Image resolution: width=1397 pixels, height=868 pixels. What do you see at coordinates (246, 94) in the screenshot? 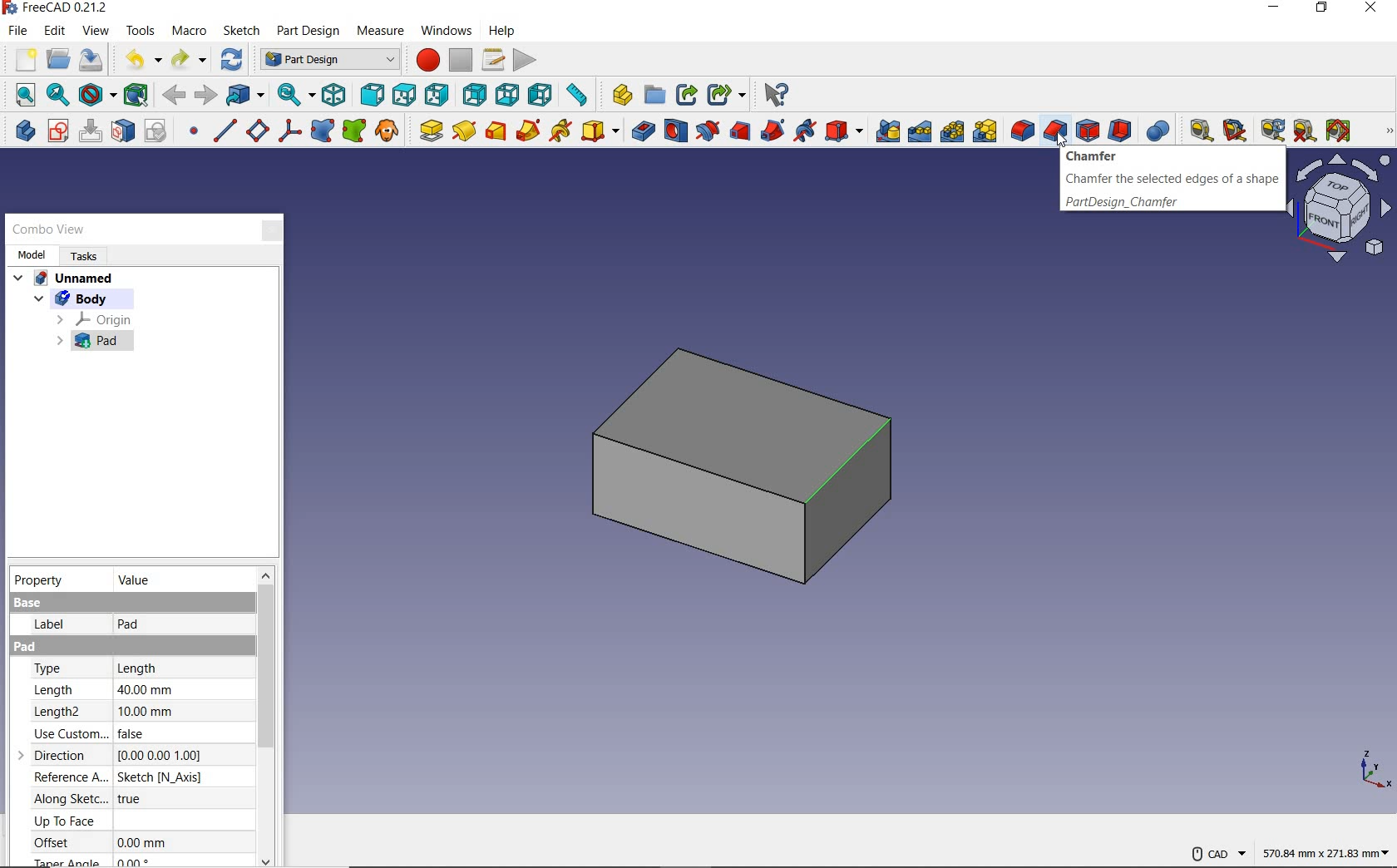
I see `go to linked object` at bounding box center [246, 94].